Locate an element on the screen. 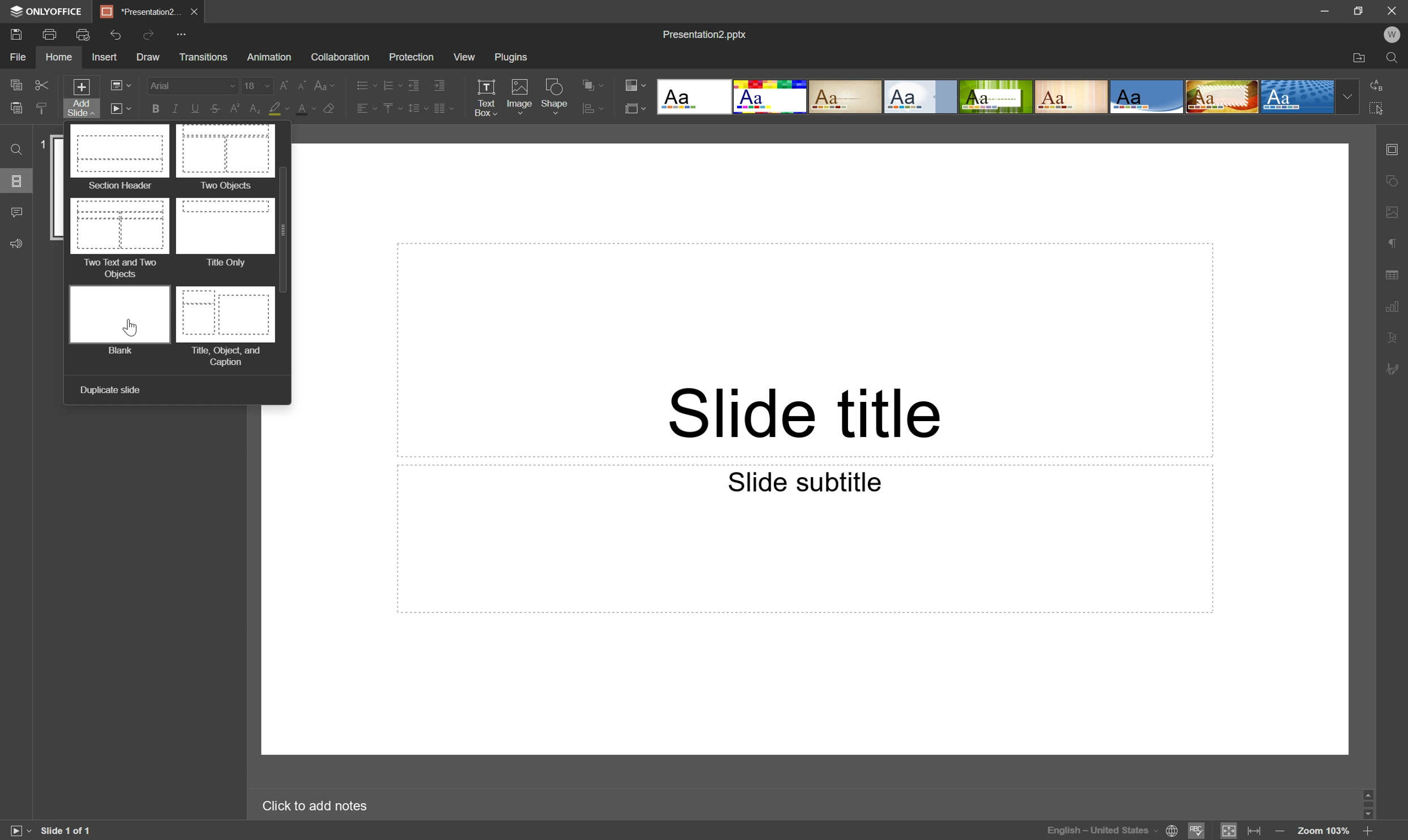  Minimize is located at coordinates (1327, 8).